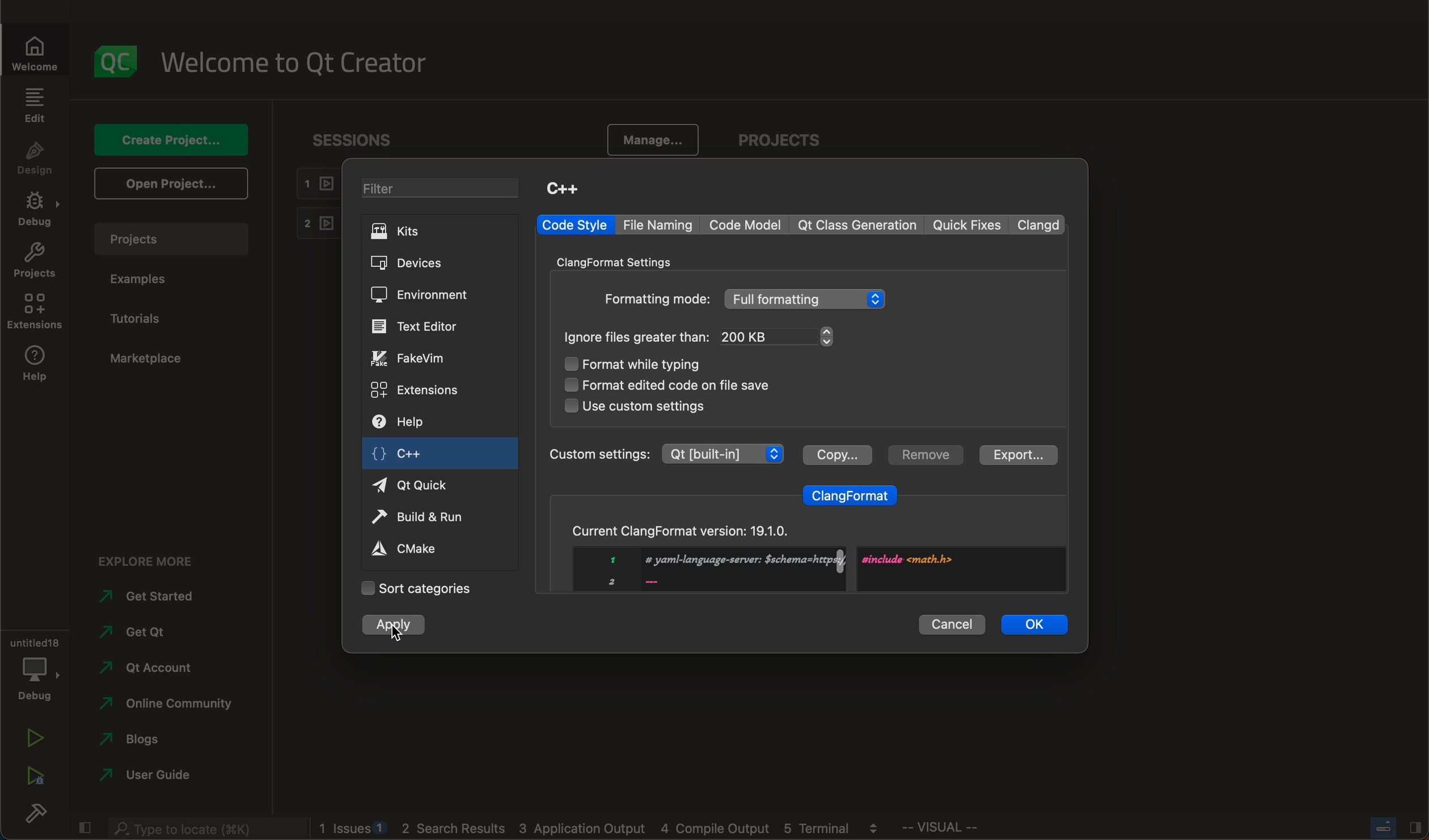 The height and width of the screenshot is (840, 1429). Describe the element at coordinates (33, 667) in the screenshot. I see `debug` at that location.